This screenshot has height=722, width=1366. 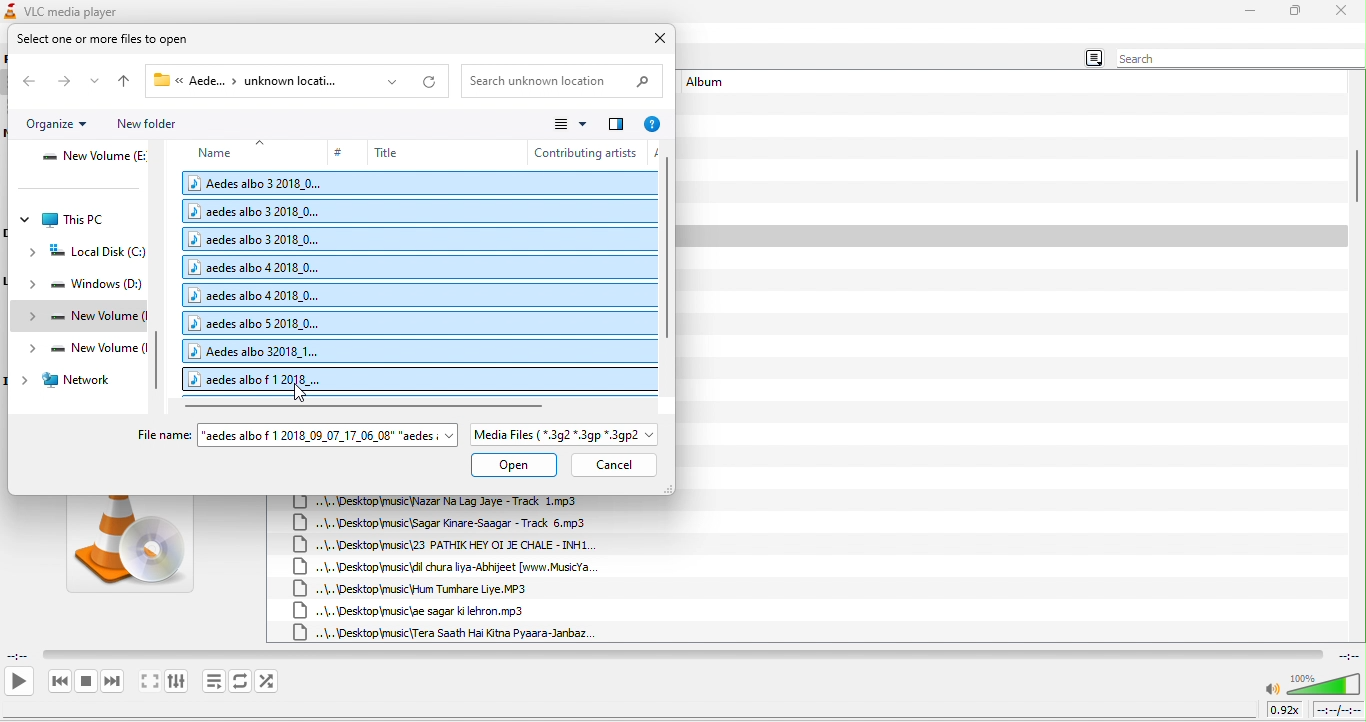 What do you see at coordinates (613, 465) in the screenshot?
I see `cancel` at bounding box center [613, 465].